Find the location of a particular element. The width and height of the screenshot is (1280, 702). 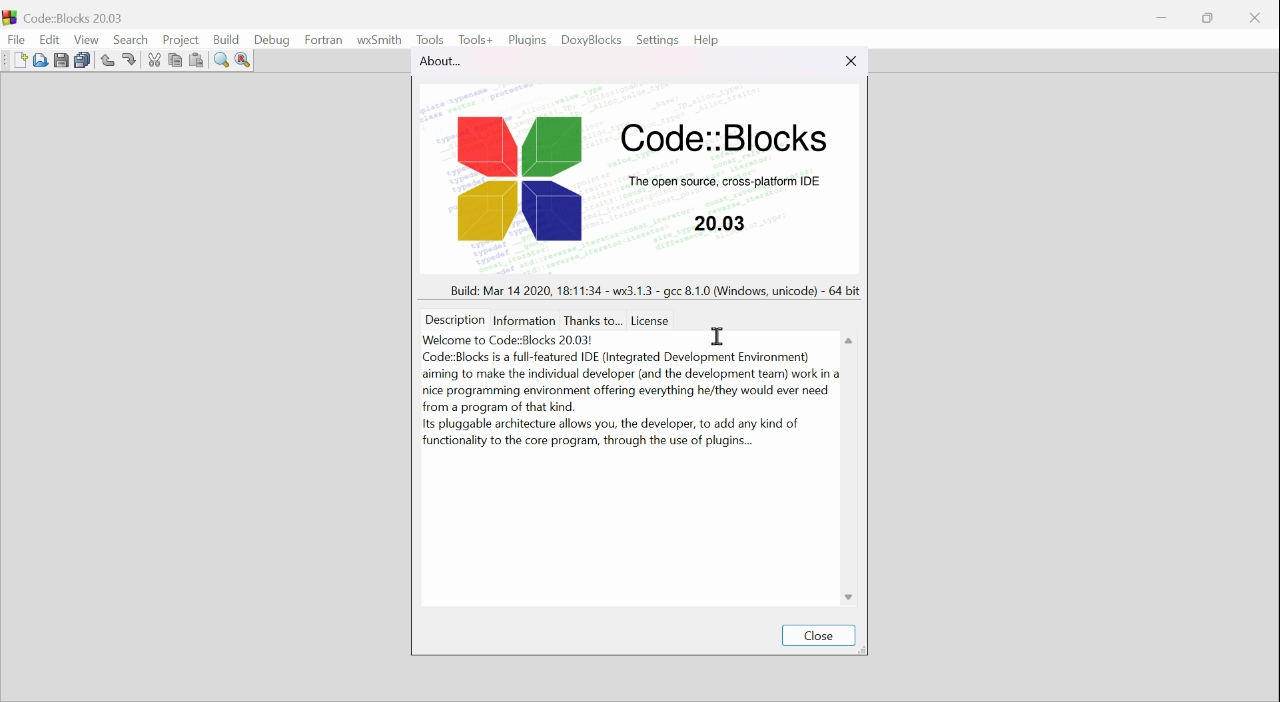

Paste is located at coordinates (197, 60).